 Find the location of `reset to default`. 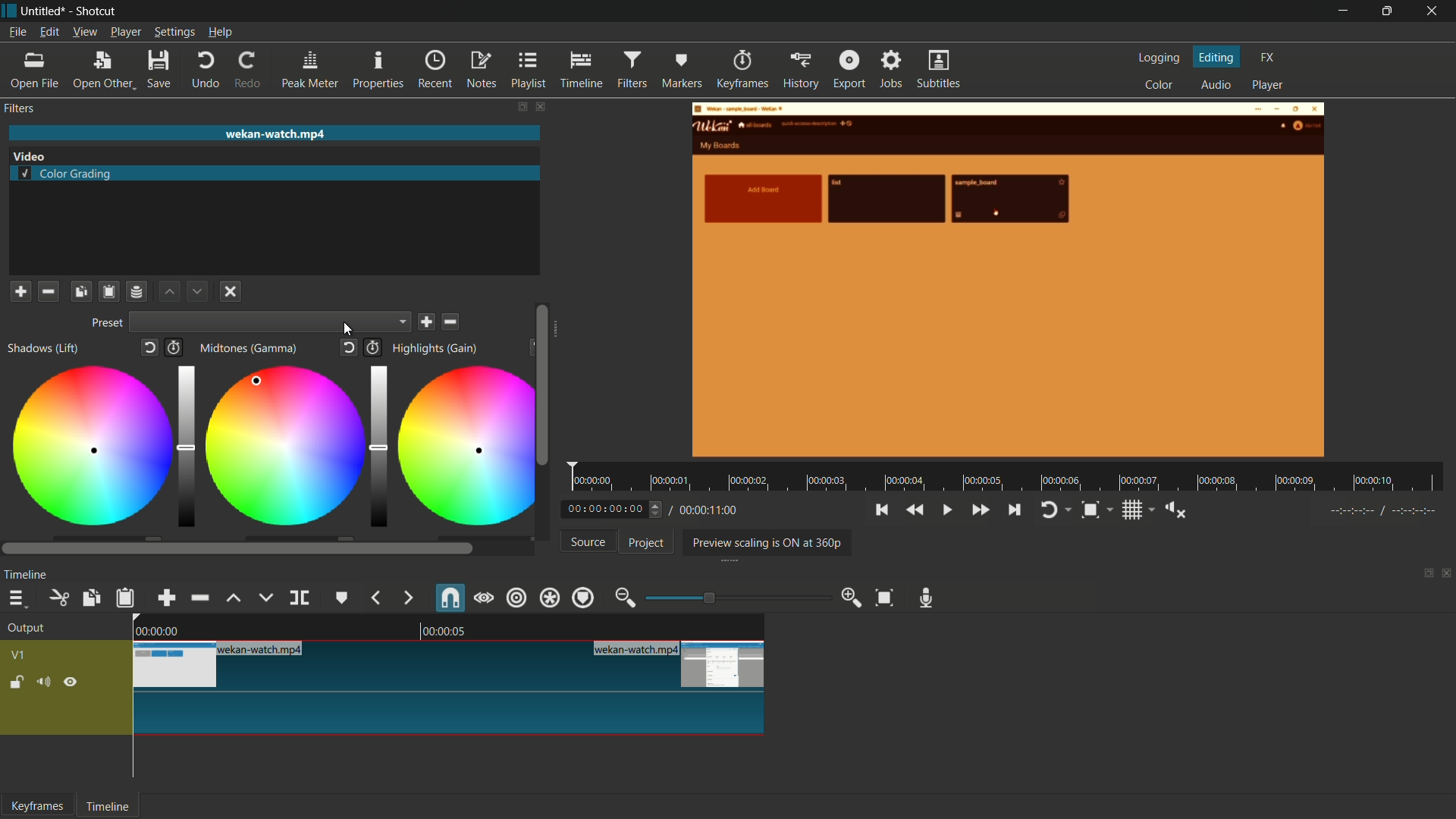

reset to default is located at coordinates (148, 347).